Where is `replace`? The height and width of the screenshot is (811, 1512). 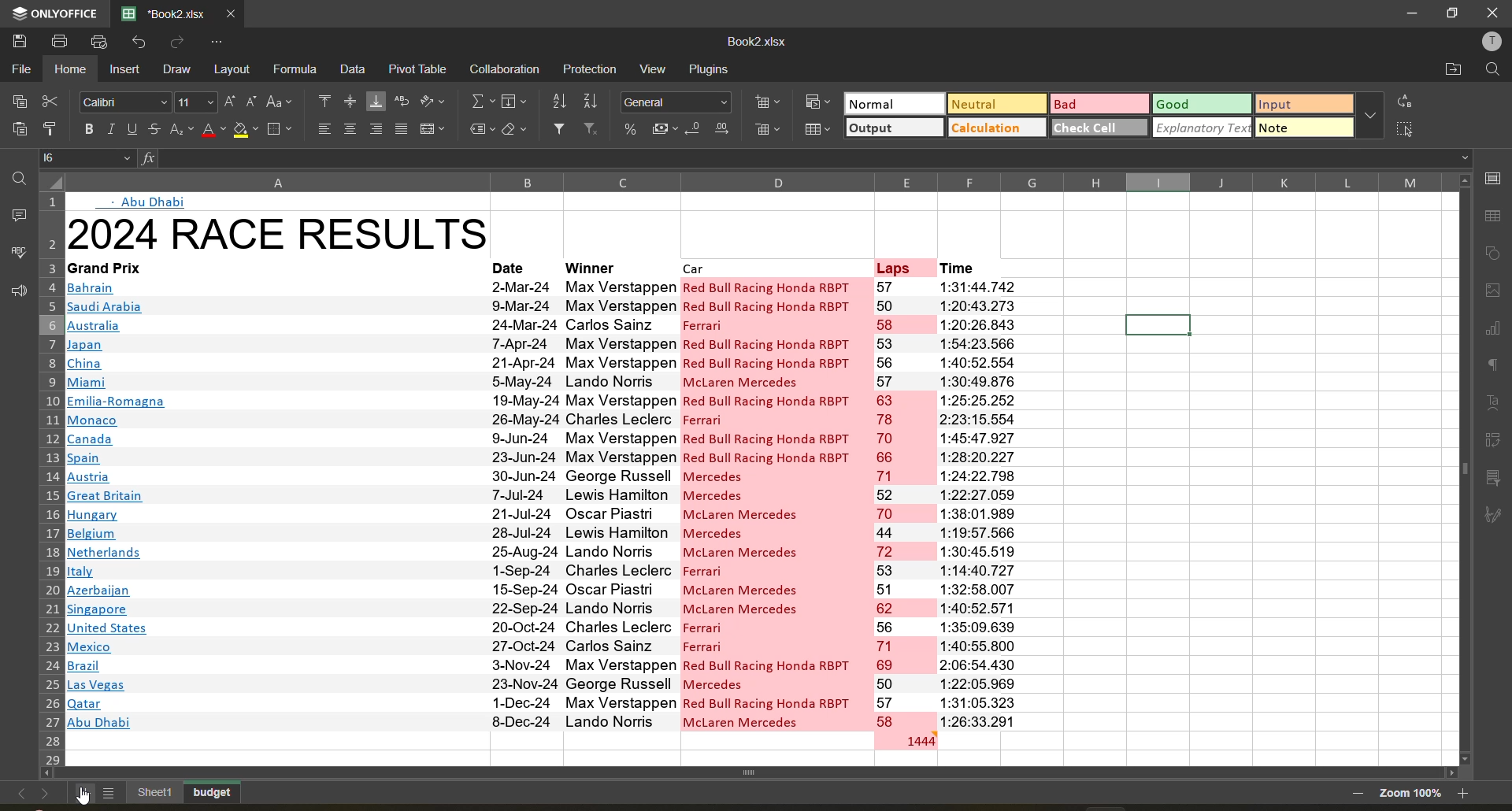 replace is located at coordinates (1408, 100).